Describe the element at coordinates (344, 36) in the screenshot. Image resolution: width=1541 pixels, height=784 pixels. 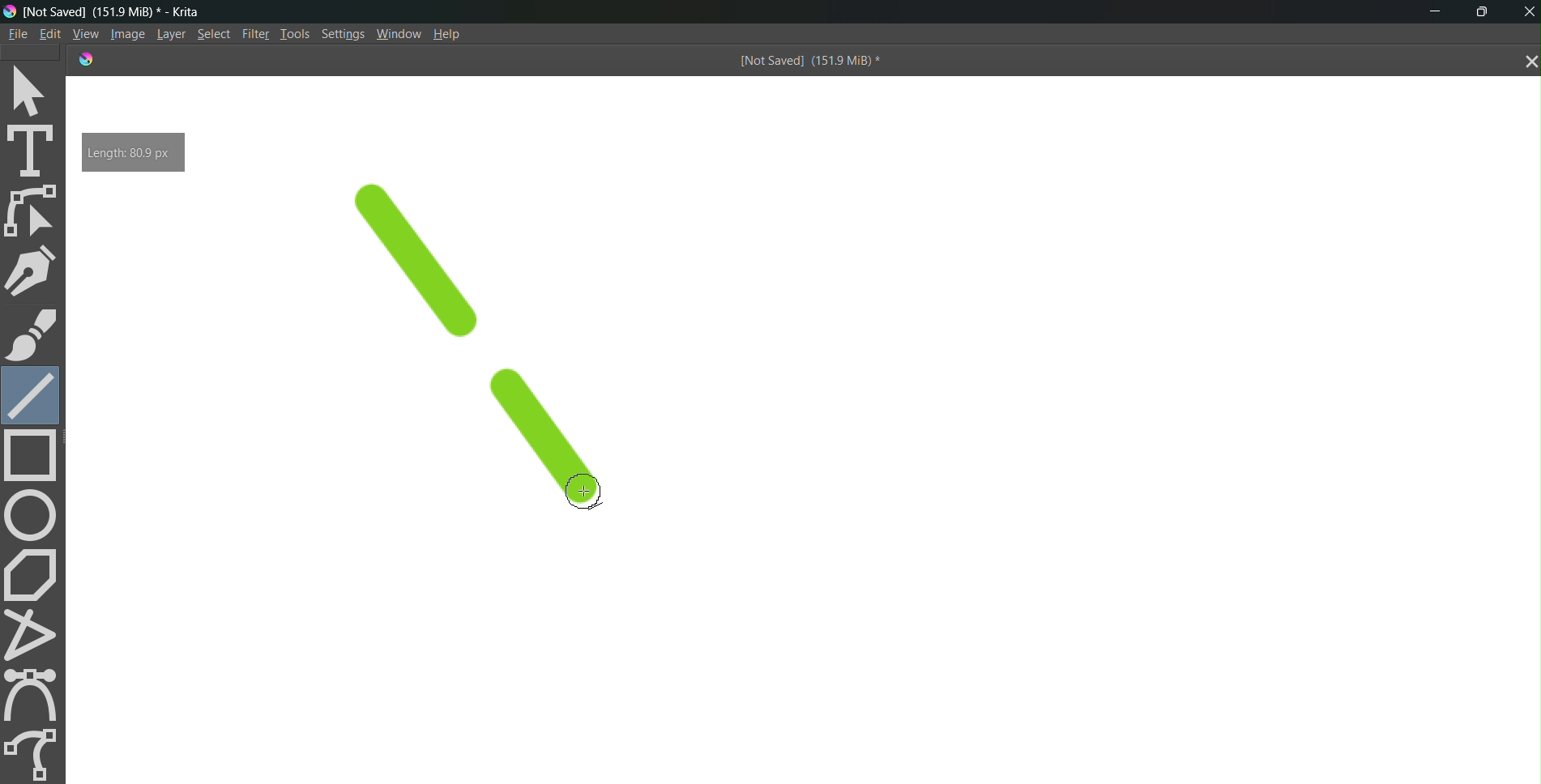
I see `Settings` at that location.